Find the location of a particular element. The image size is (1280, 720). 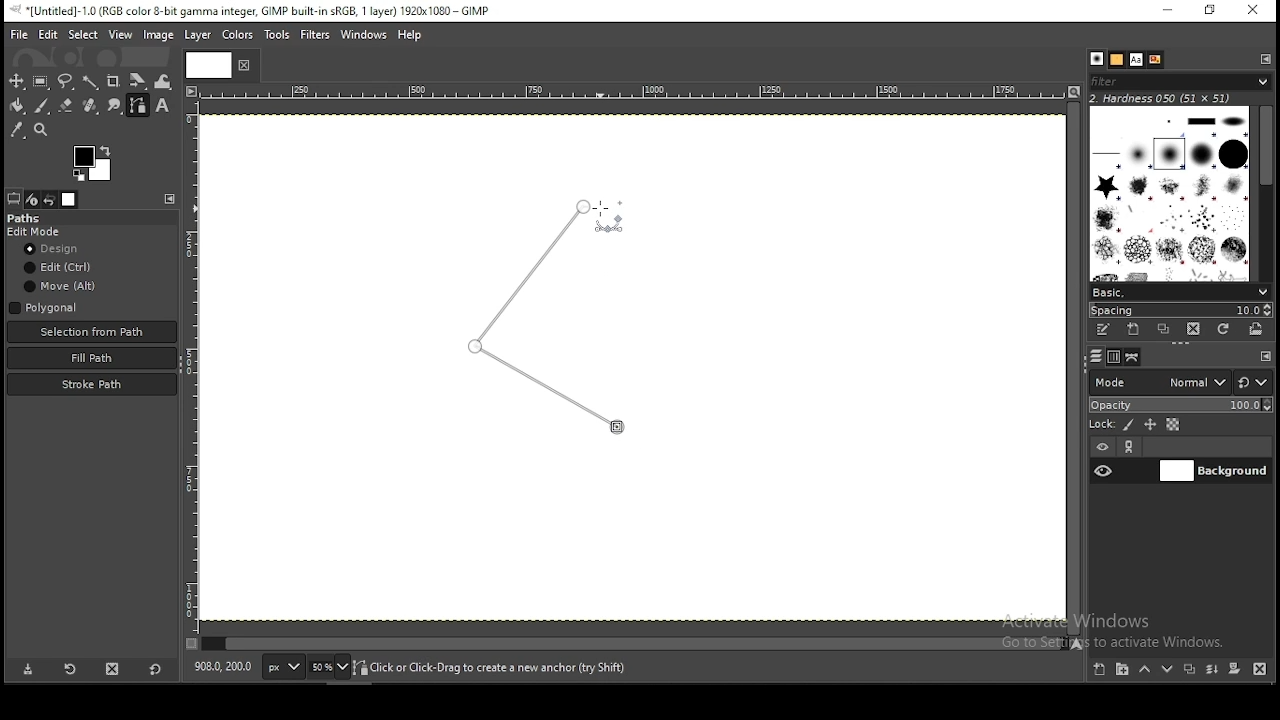

edit this brush is located at coordinates (1102, 329).